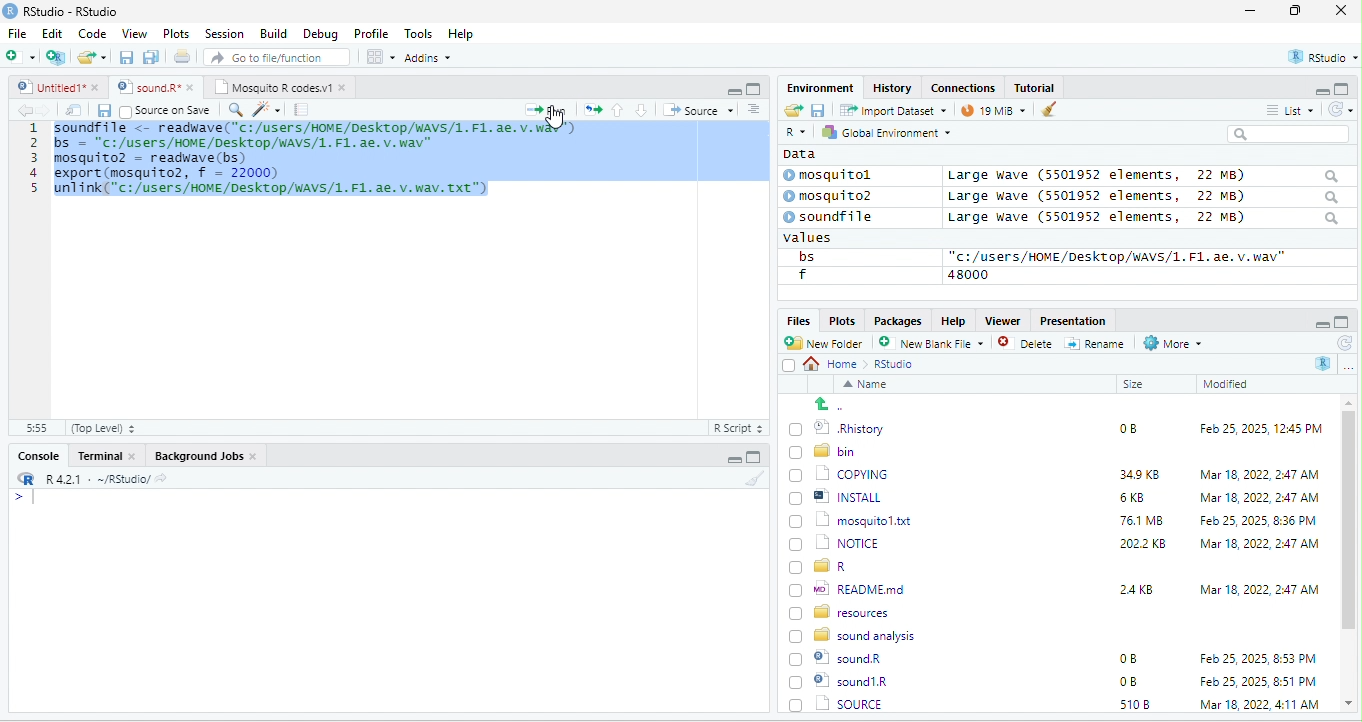 The height and width of the screenshot is (722, 1362). I want to click on syntax, so click(20, 500).